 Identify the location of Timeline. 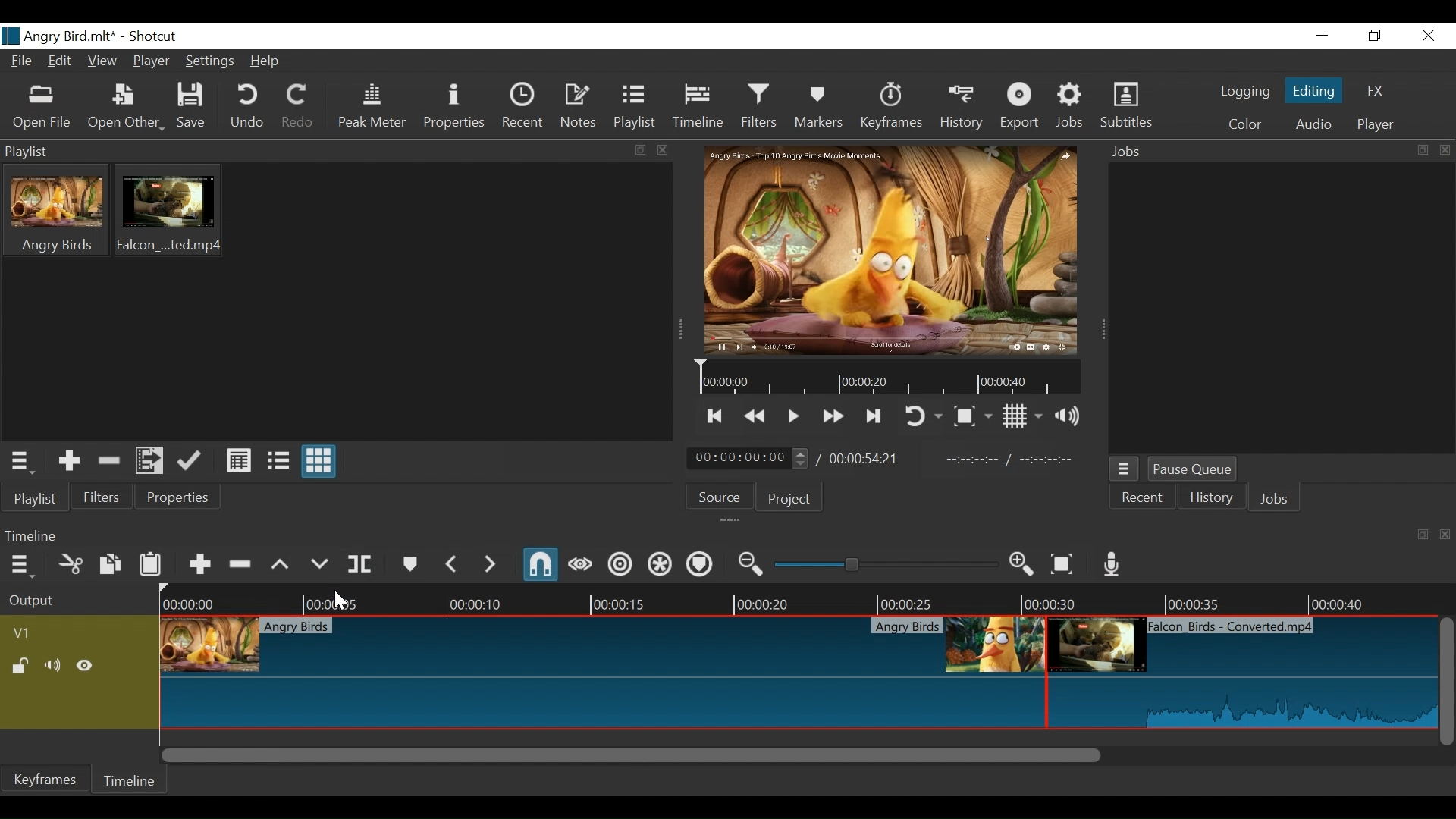
(698, 106).